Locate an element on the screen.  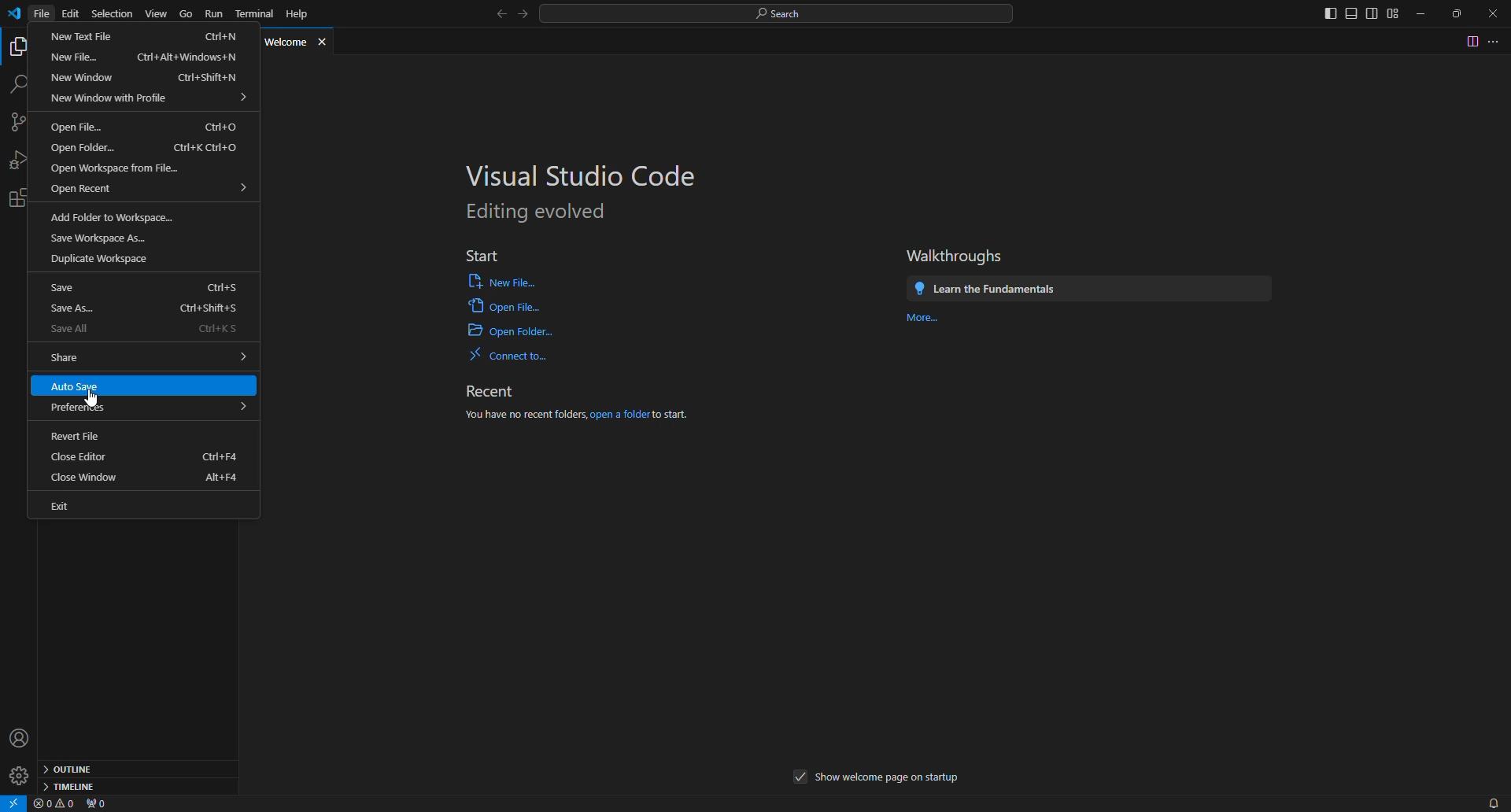
walkthroughs is located at coordinates (956, 256).